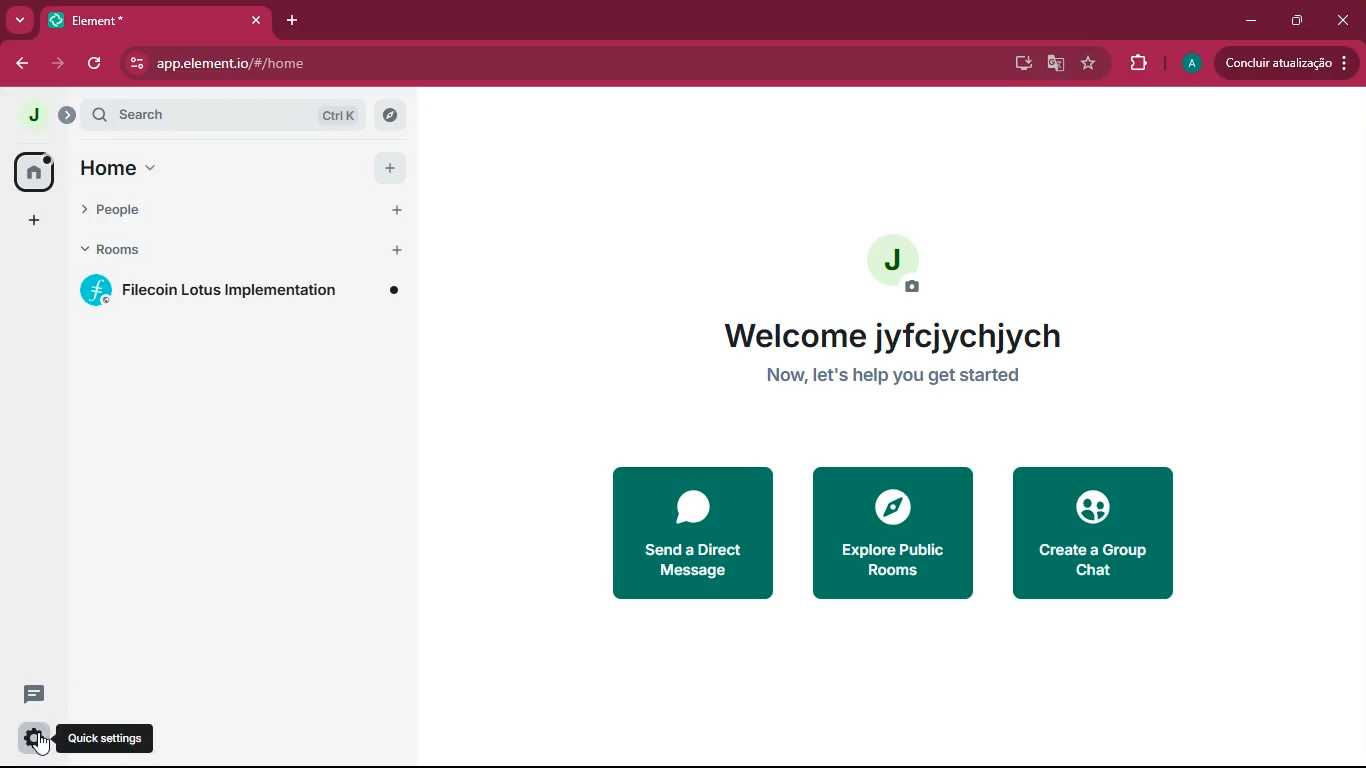 The width and height of the screenshot is (1366, 768). I want to click on add tab, so click(294, 20).